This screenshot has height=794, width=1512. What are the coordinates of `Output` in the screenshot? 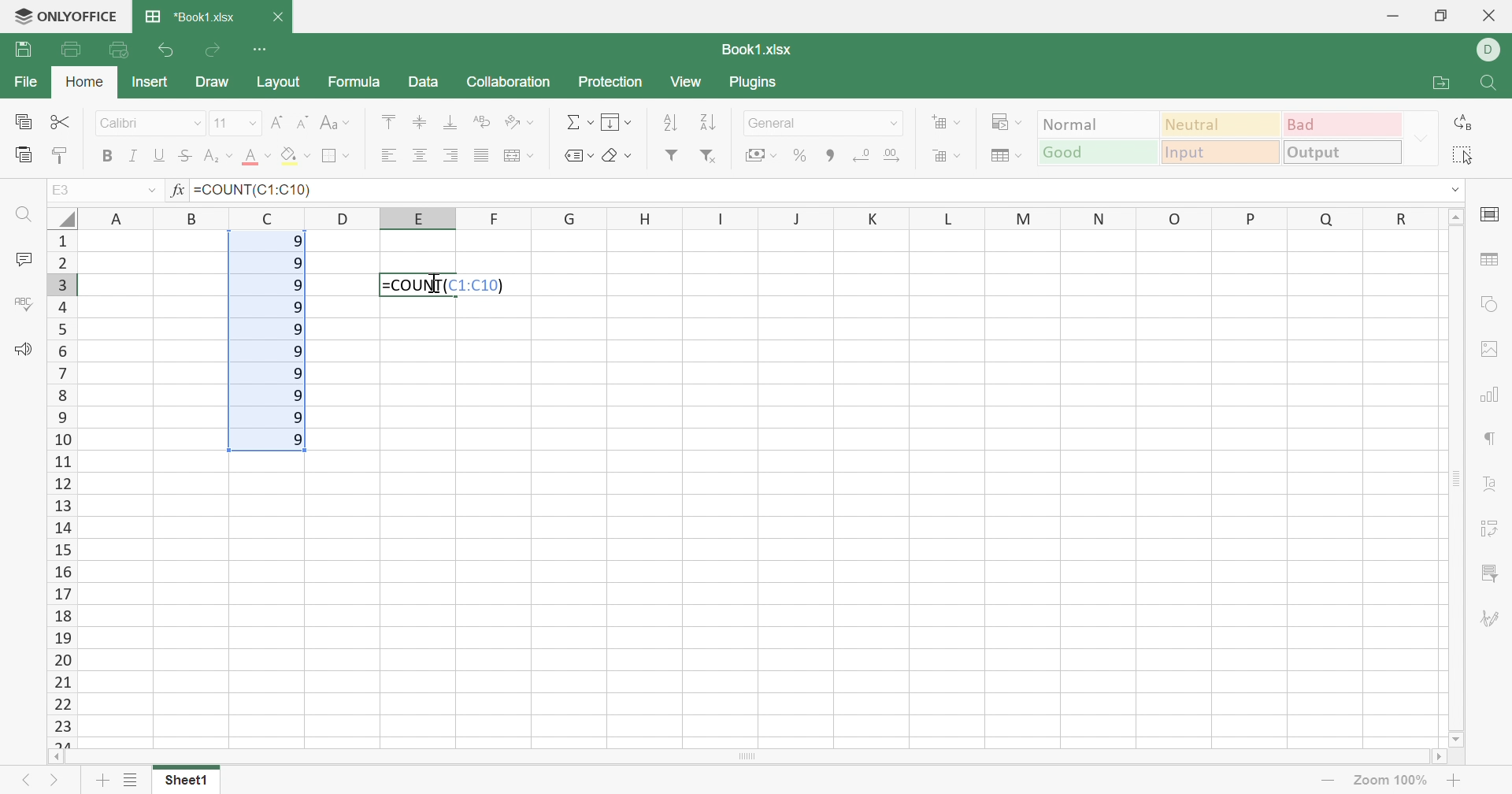 It's located at (1099, 124).